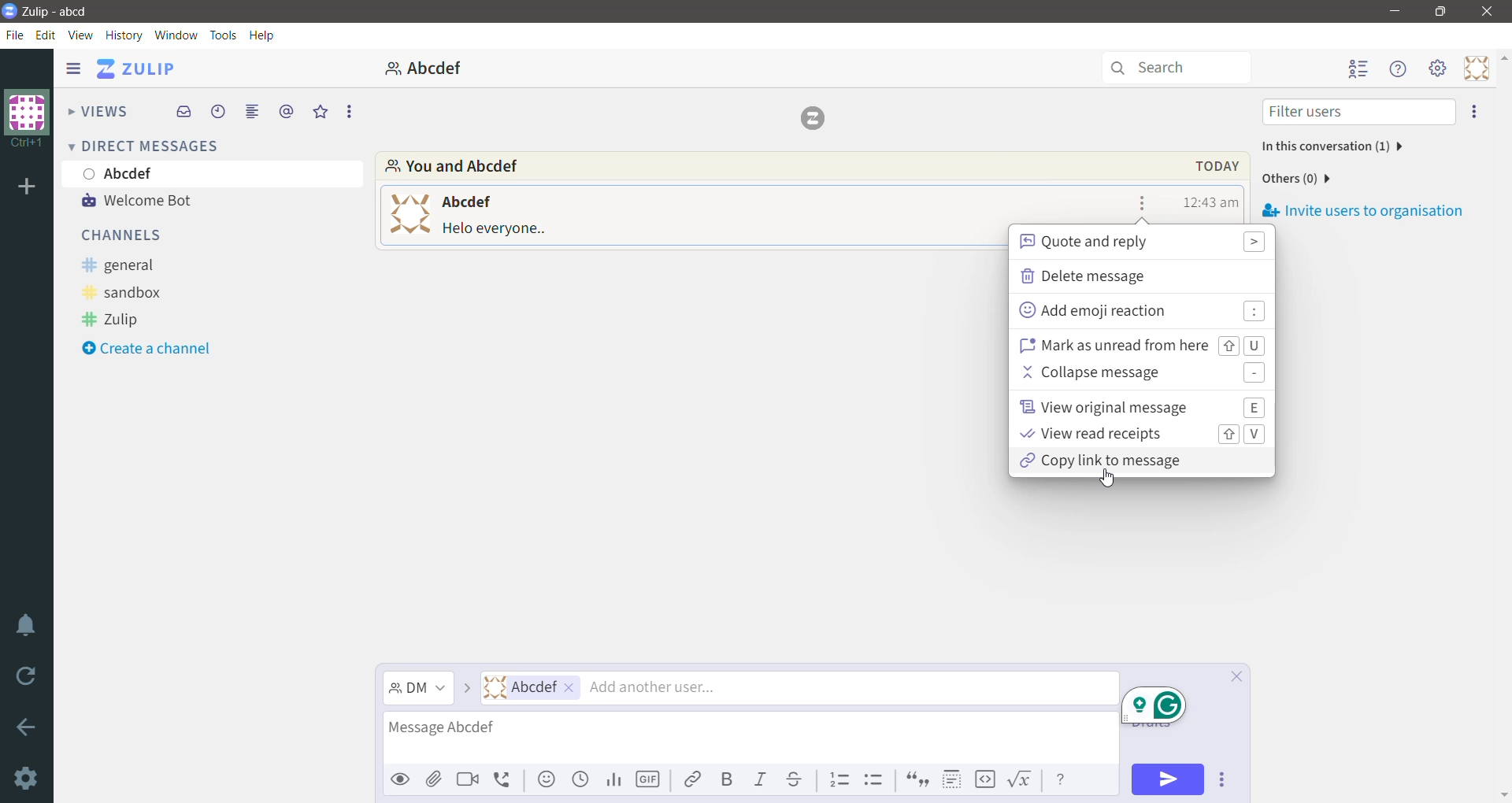  What do you see at coordinates (1144, 240) in the screenshot?
I see `Quote and reply` at bounding box center [1144, 240].